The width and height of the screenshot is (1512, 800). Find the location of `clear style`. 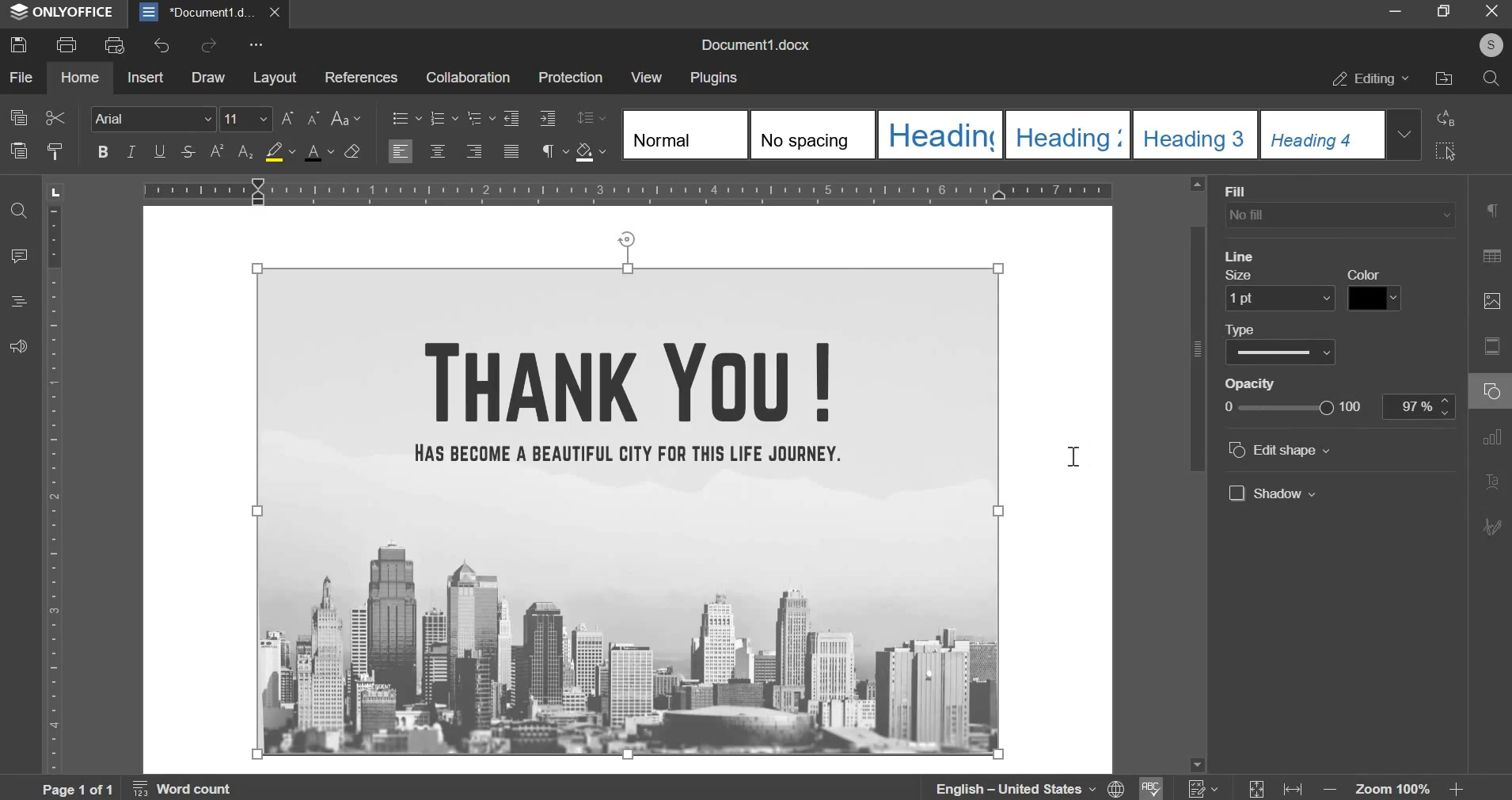

clear style is located at coordinates (352, 152).